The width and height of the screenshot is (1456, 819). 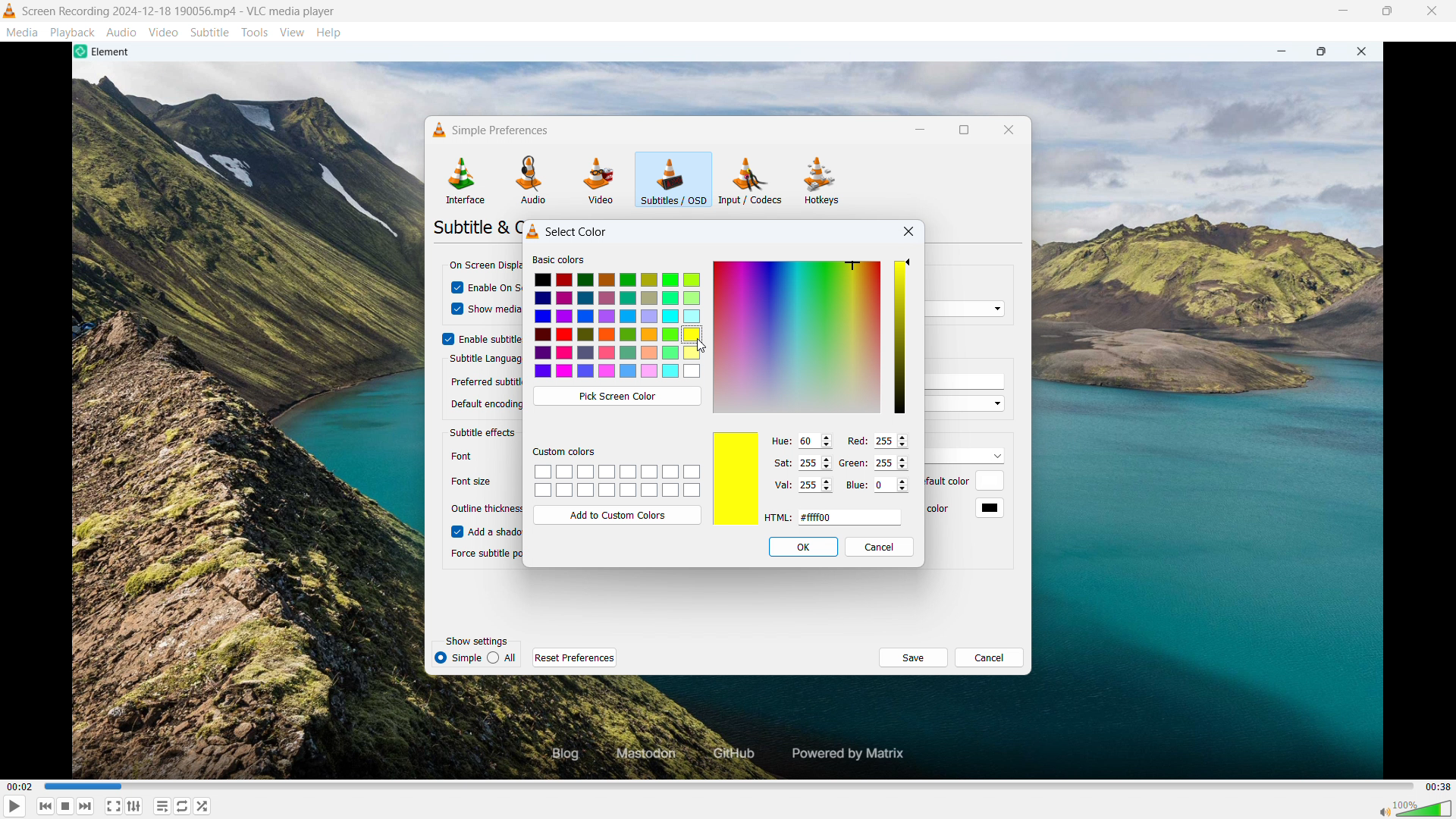 What do you see at coordinates (575, 657) in the screenshot?
I see `Reset preferences ` at bounding box center [575, 657].